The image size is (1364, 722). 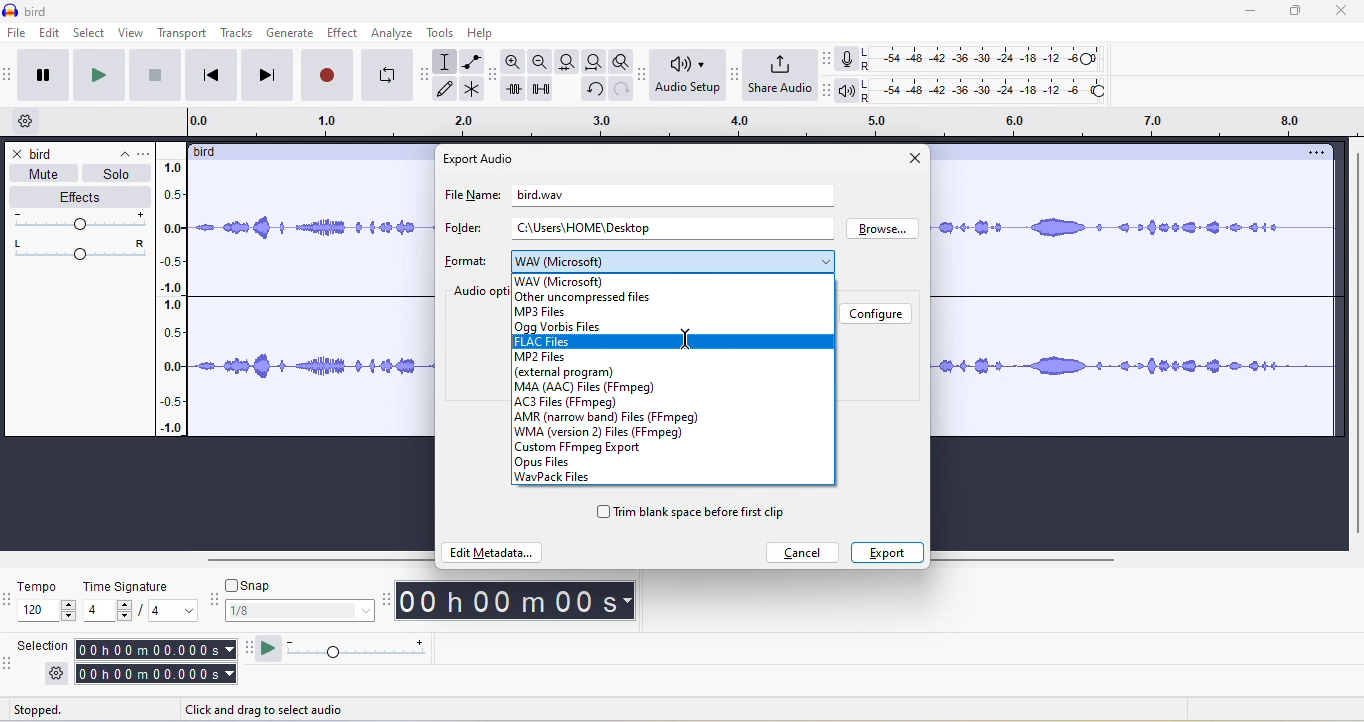 I want to click on title, so click(x=28, y=11).